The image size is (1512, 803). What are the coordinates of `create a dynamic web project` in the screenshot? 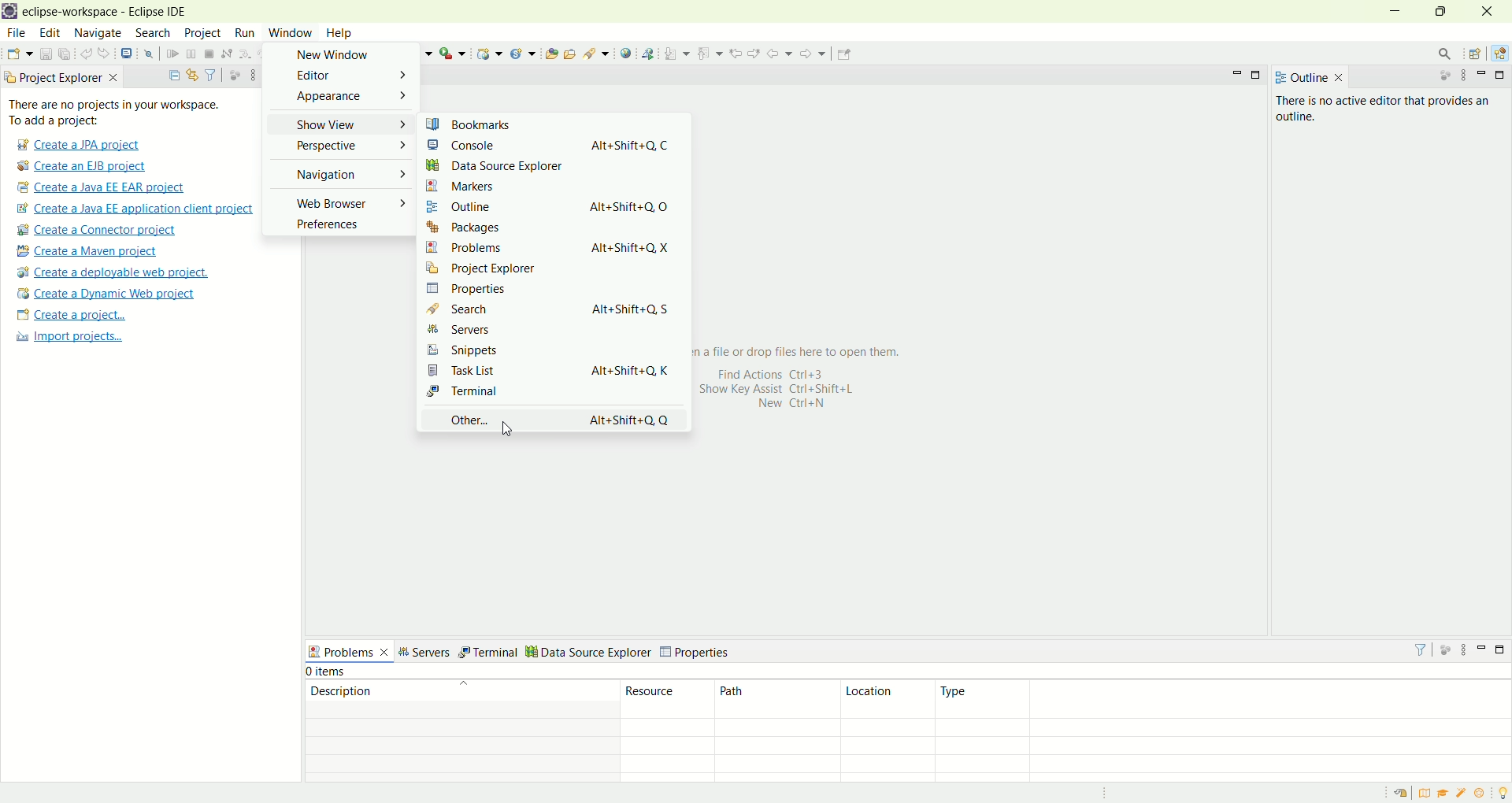 It's located at (489, 53).